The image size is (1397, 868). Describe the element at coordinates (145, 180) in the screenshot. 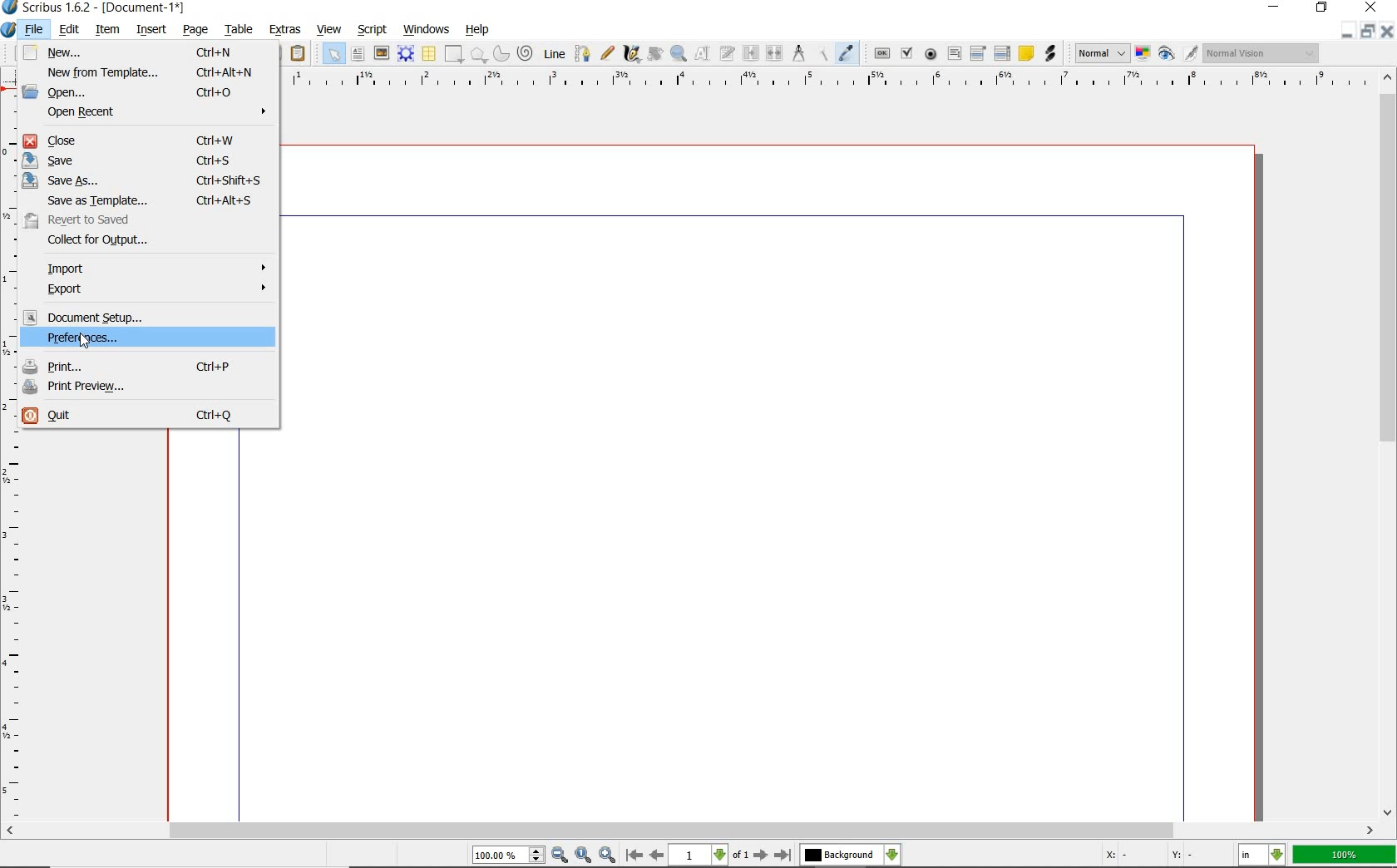

I see `save as` at that location.